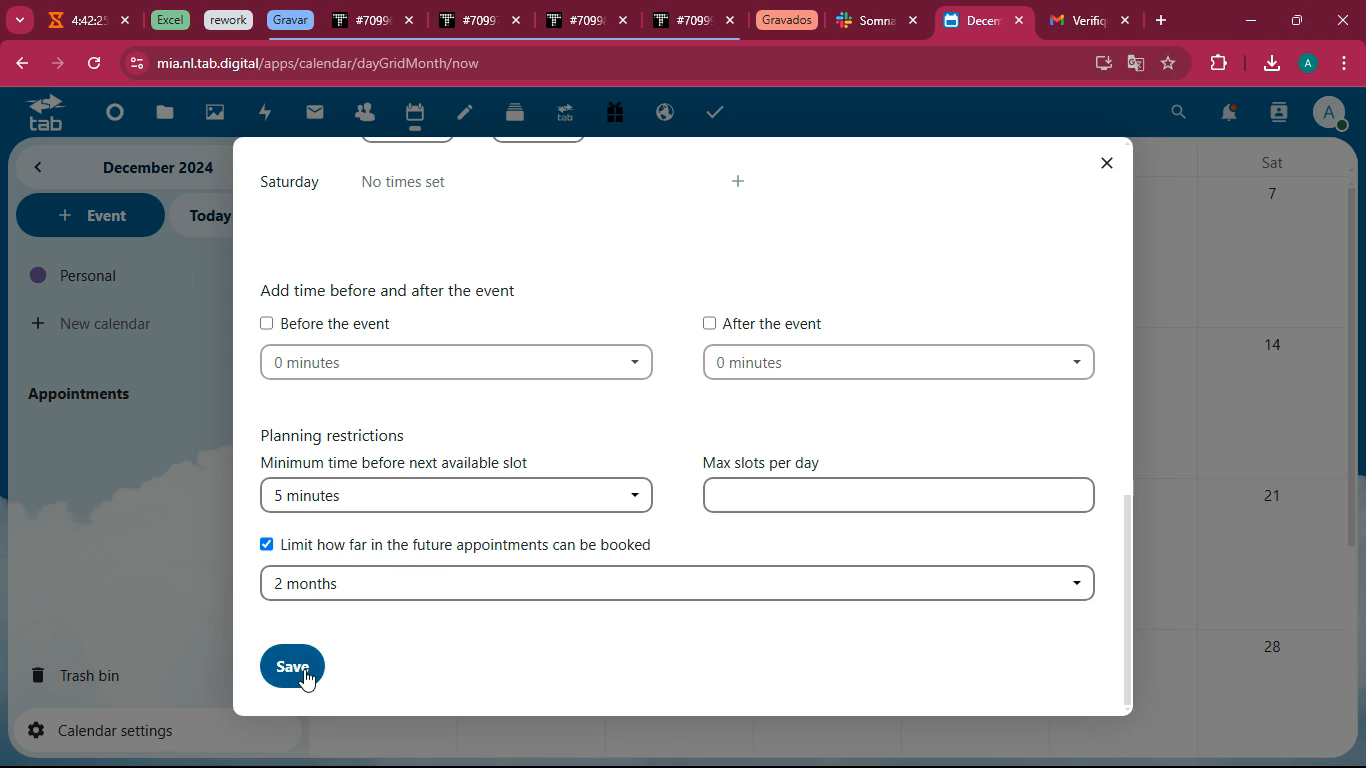 The height and width of the screenshot is (768, 1366). What do you see at coordinates (314, 681) in the screenshot?
I see `Cursor` at bounding box center [314, 681].